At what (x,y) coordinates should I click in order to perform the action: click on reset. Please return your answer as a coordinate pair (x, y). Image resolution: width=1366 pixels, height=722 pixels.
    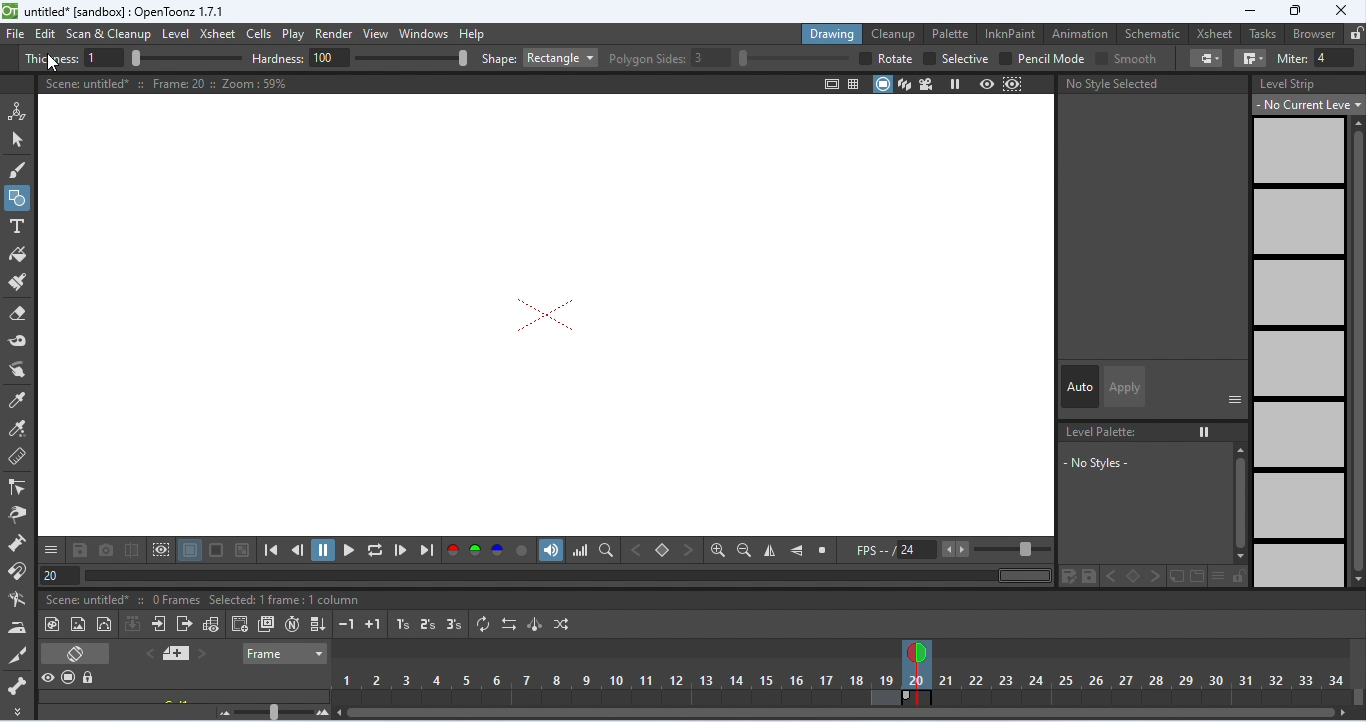
    Looking at the image, I should click on (821, 550).